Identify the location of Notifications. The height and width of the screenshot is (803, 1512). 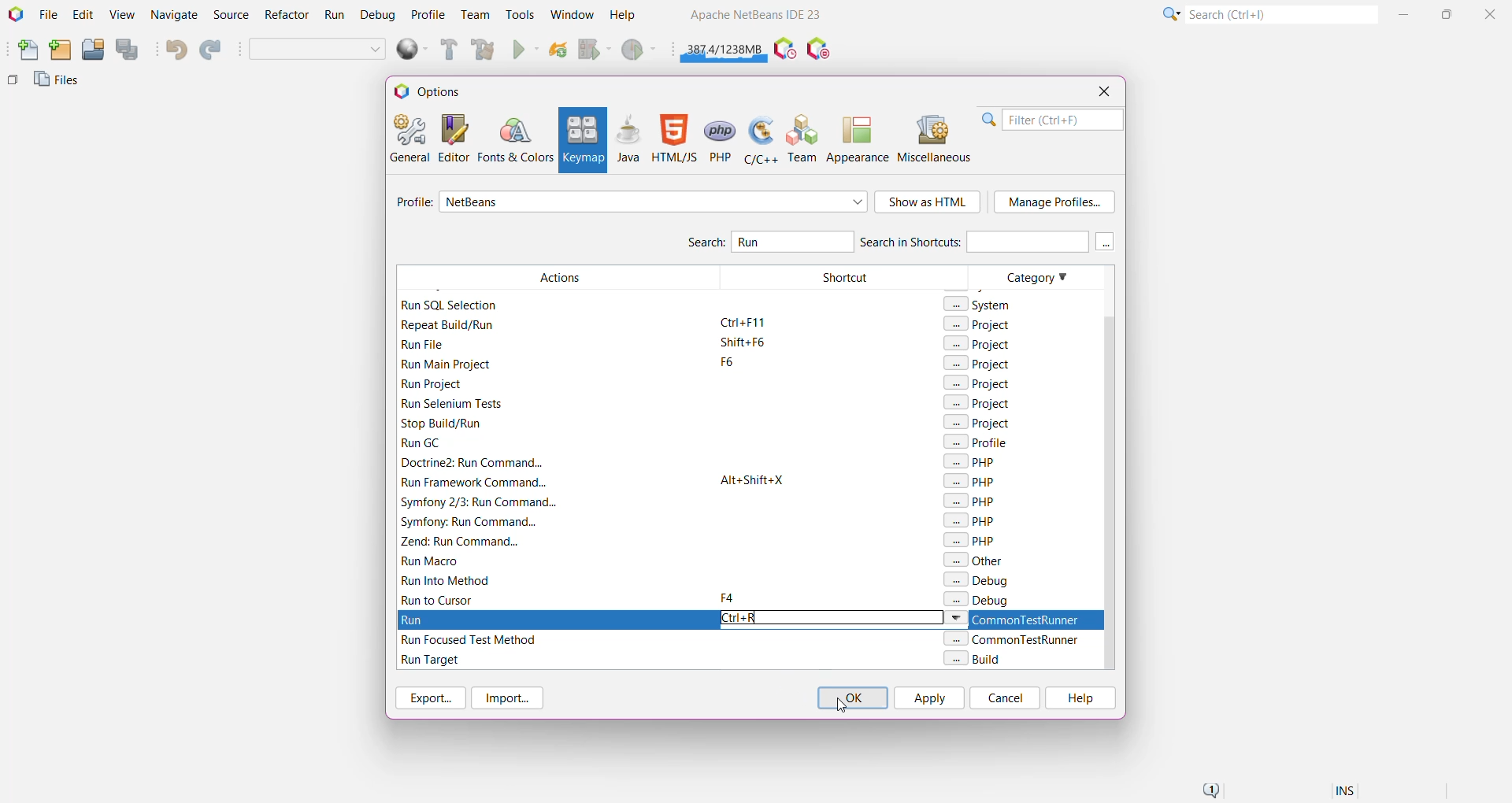
(1210, 791).